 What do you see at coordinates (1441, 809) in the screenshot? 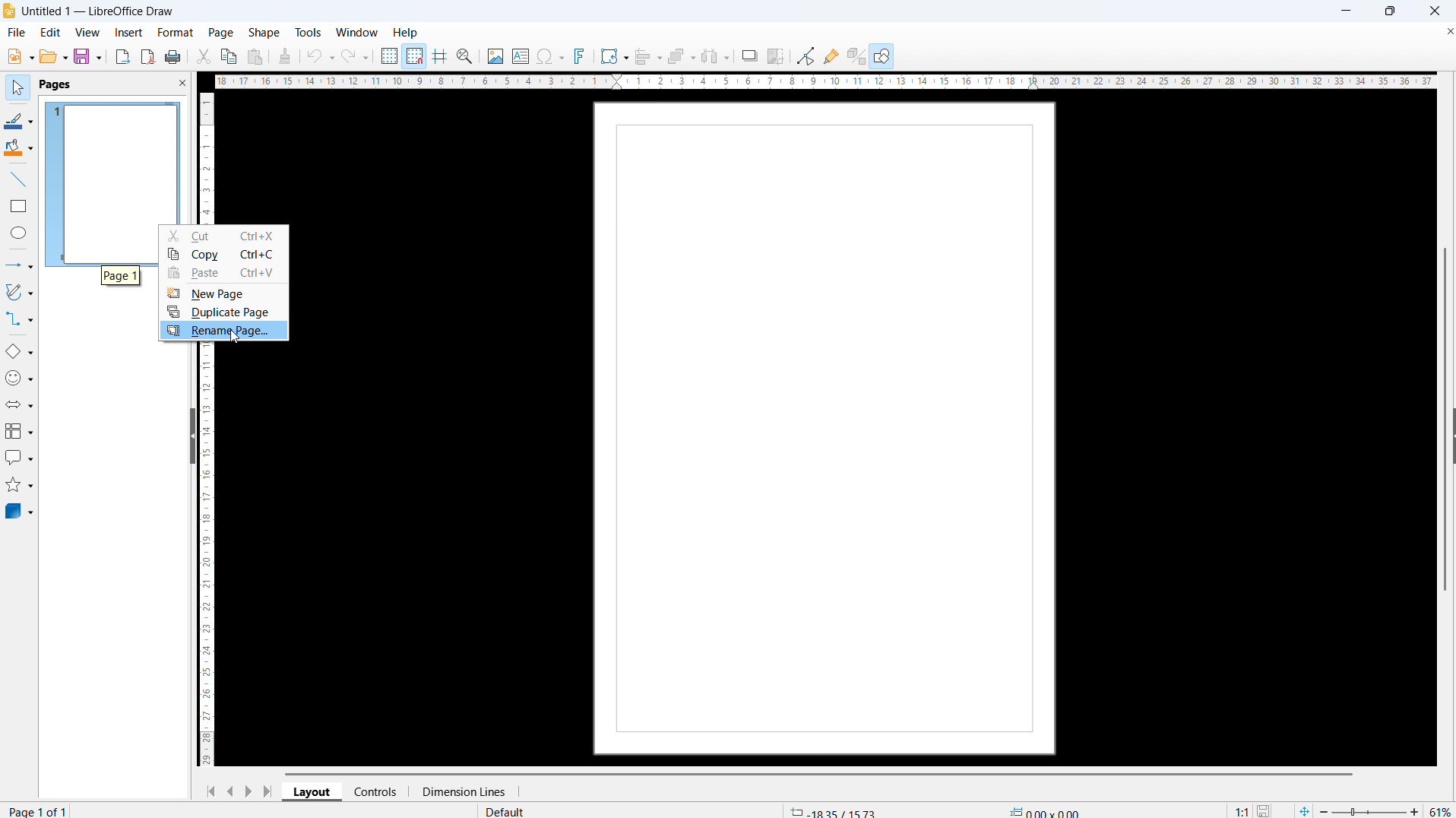
I see `zoom level` at bounding box center [1441, 809].